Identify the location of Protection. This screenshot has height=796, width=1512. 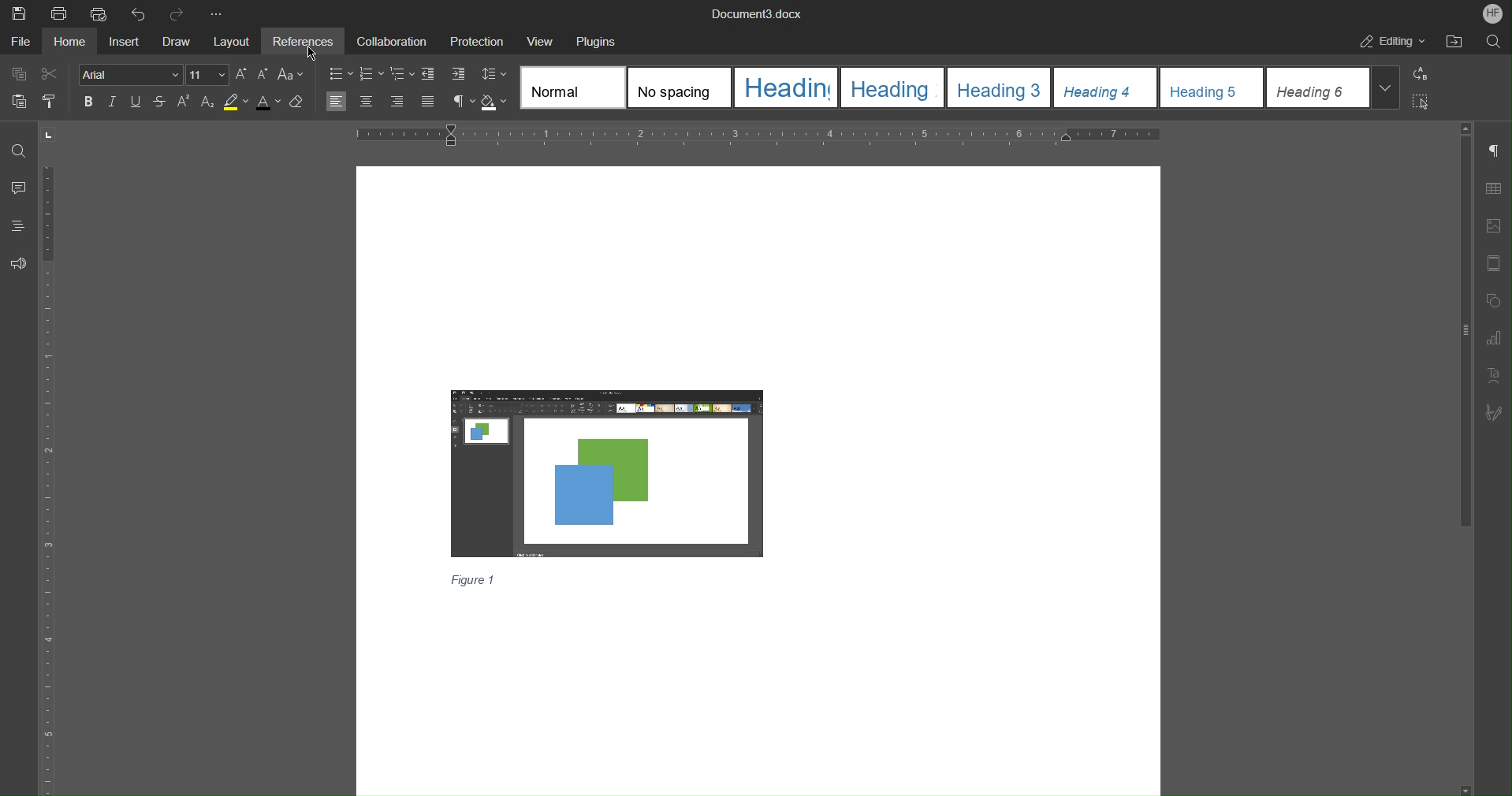
(470, 39).